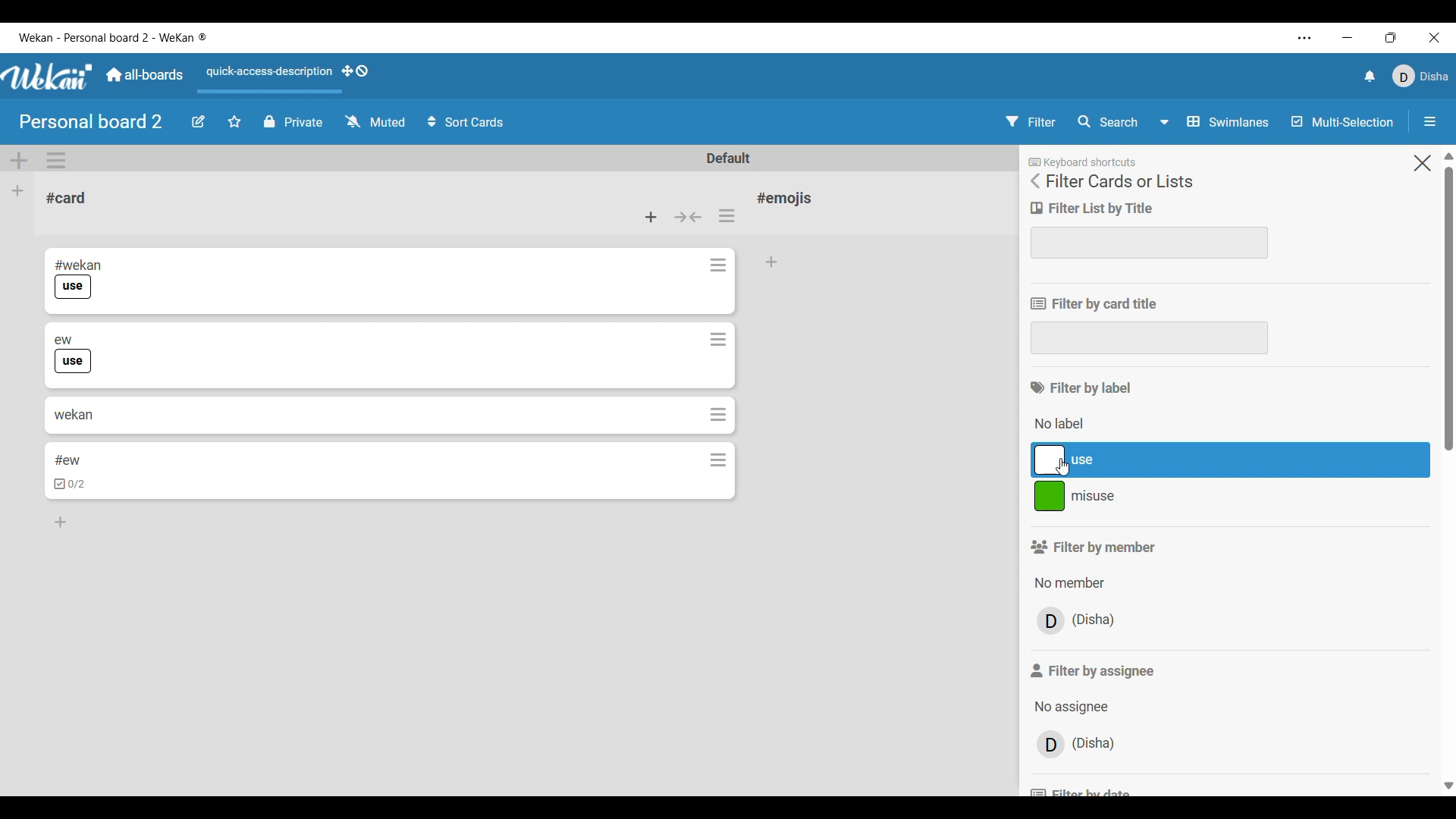 The width and height of the screenshot is (1456, 819). What do you see at coordinates (19, 161) in the screenshot?
I see `Add swimlane` at bounding box center [19, 161].